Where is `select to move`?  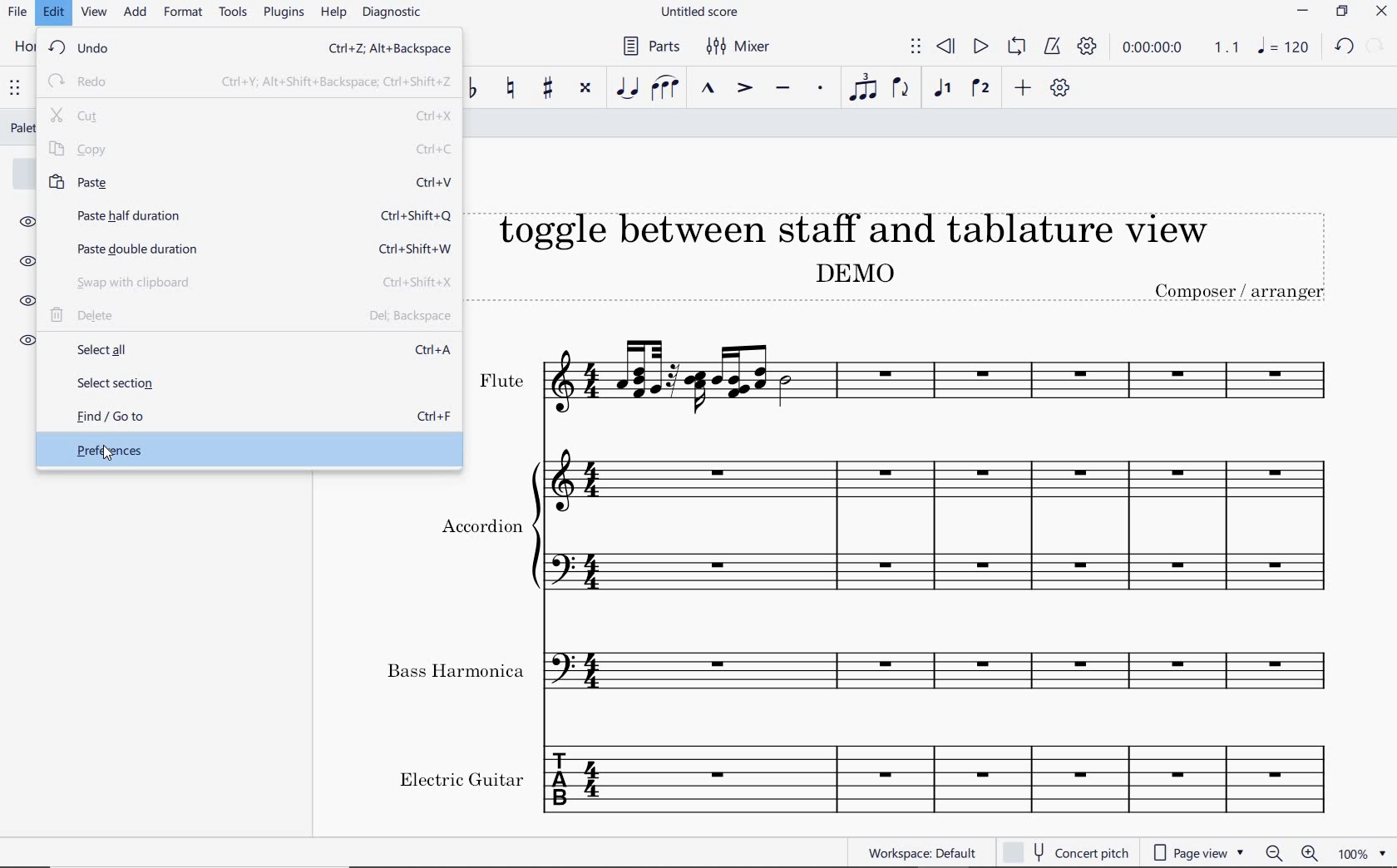 select to move is located at coordinates (916, 47).